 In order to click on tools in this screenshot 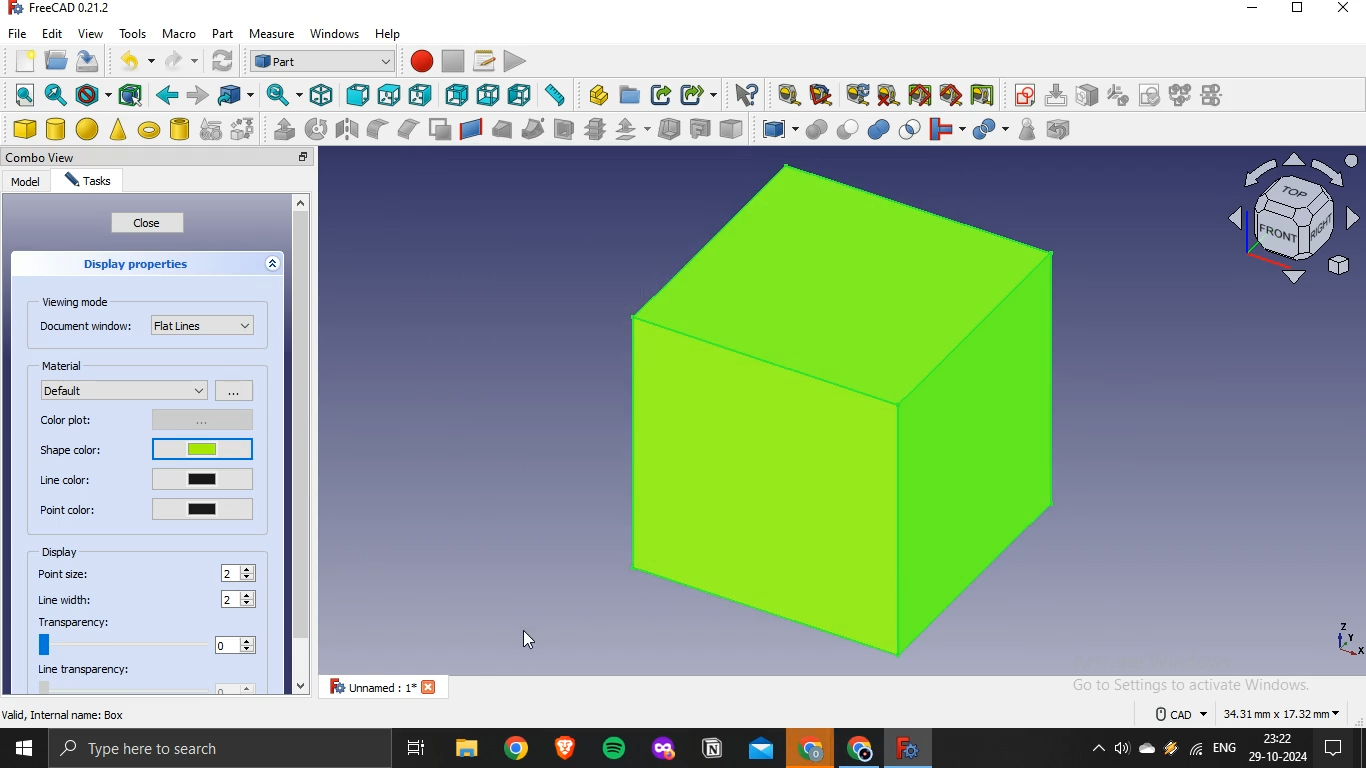, I will do `click(133, 32)`.